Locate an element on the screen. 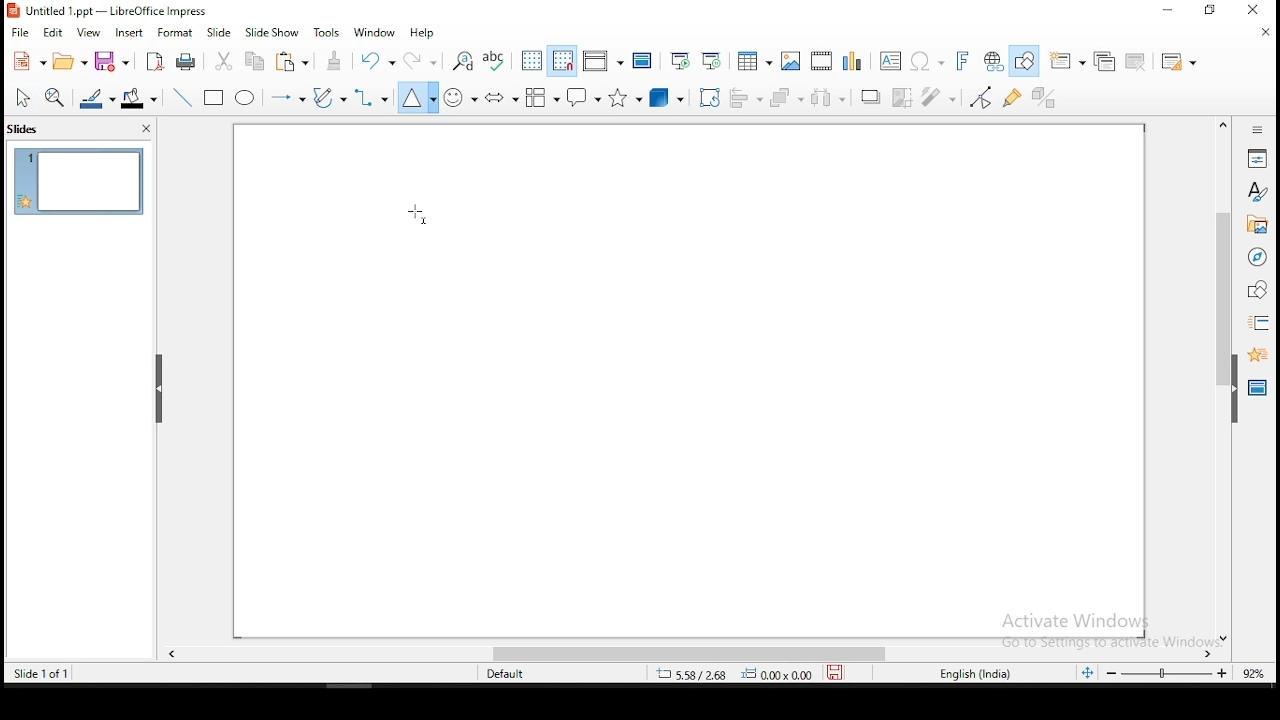 The height and width of the screenshot is (720, 1280). hyperlink is located at coordinates (991, 60).